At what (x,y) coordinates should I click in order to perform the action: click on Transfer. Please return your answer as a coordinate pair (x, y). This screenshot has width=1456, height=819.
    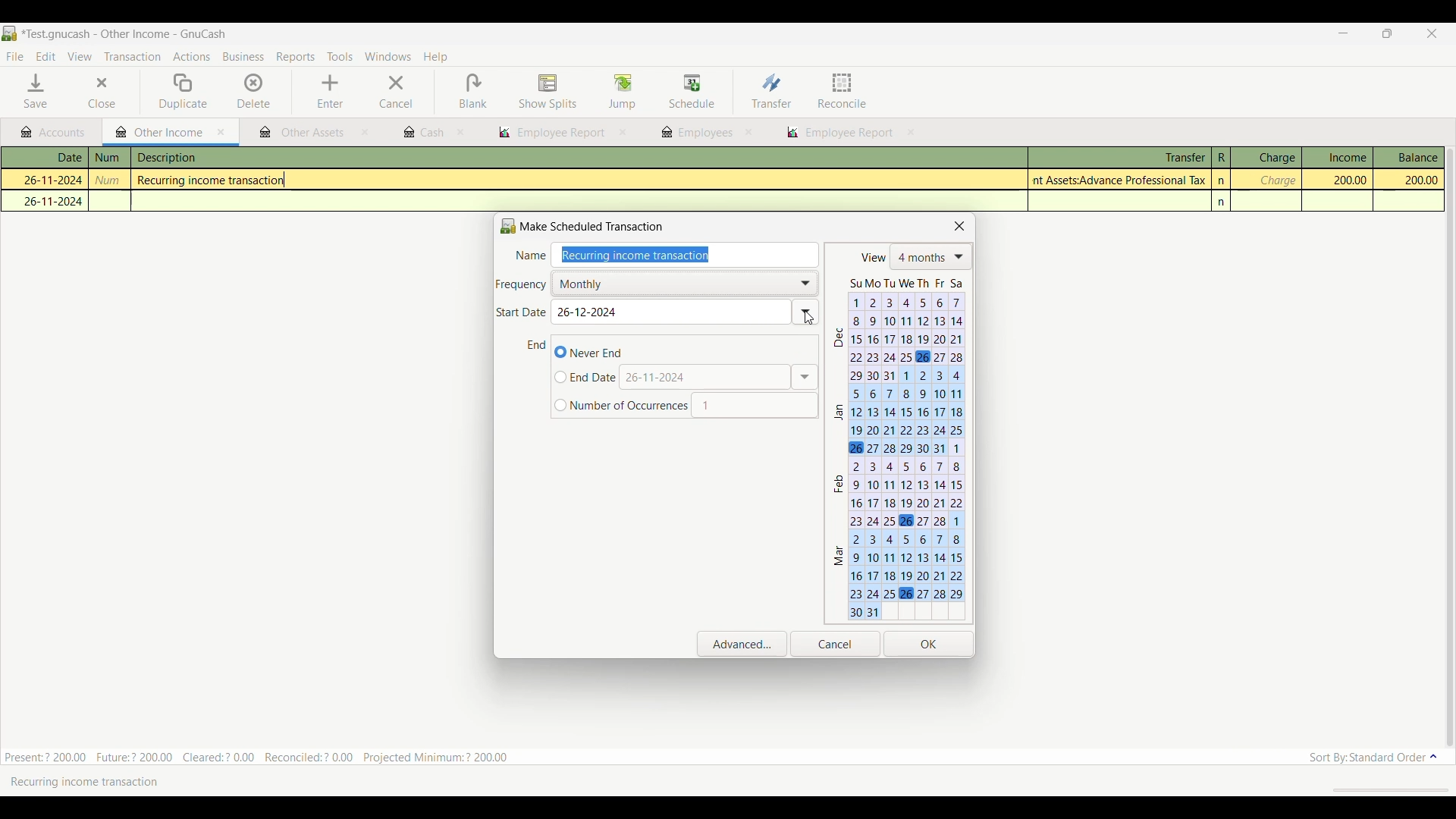
    Looking at the image, I should click on (771, 90).